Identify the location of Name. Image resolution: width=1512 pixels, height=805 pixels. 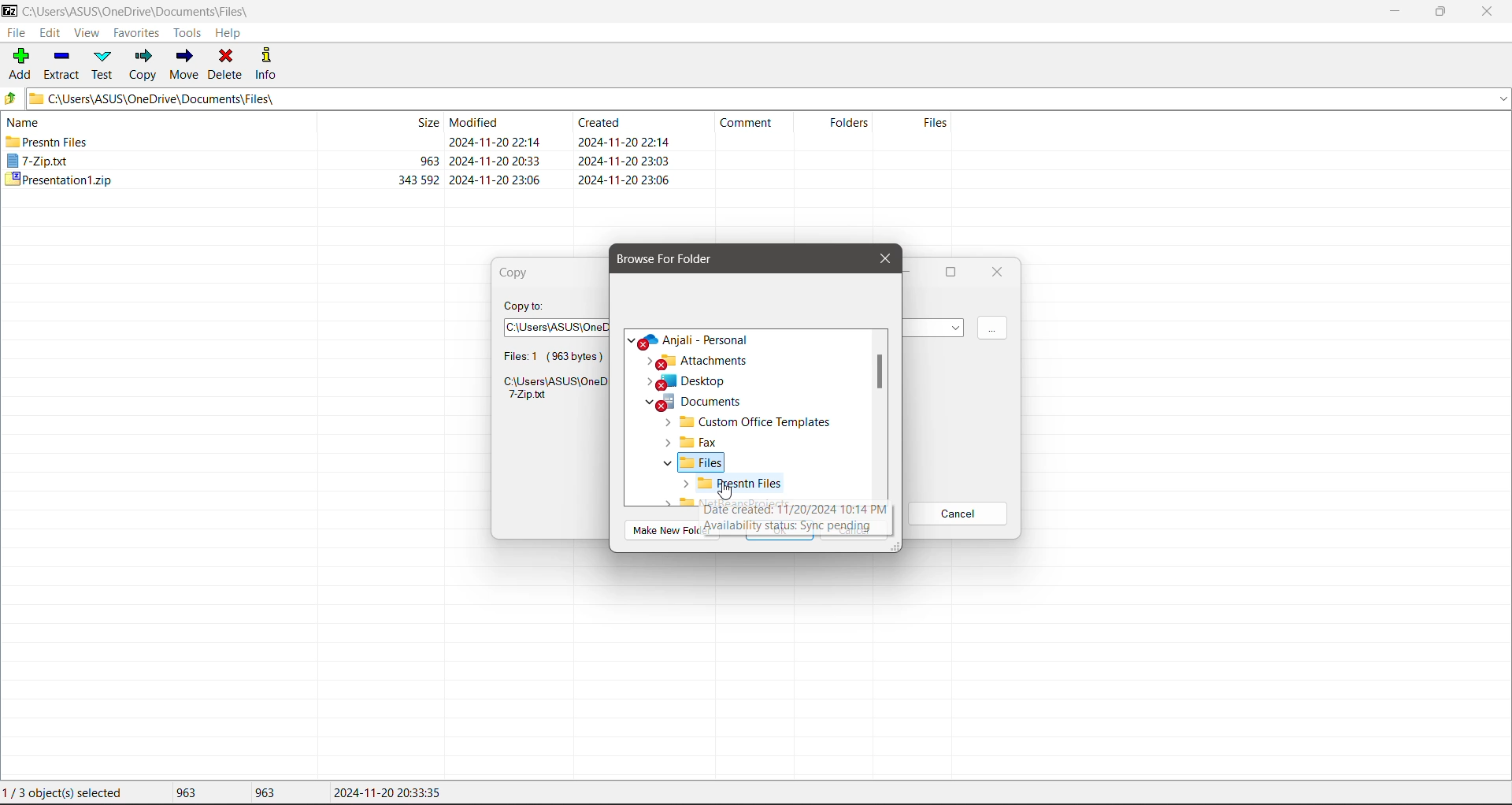
(27, 121).